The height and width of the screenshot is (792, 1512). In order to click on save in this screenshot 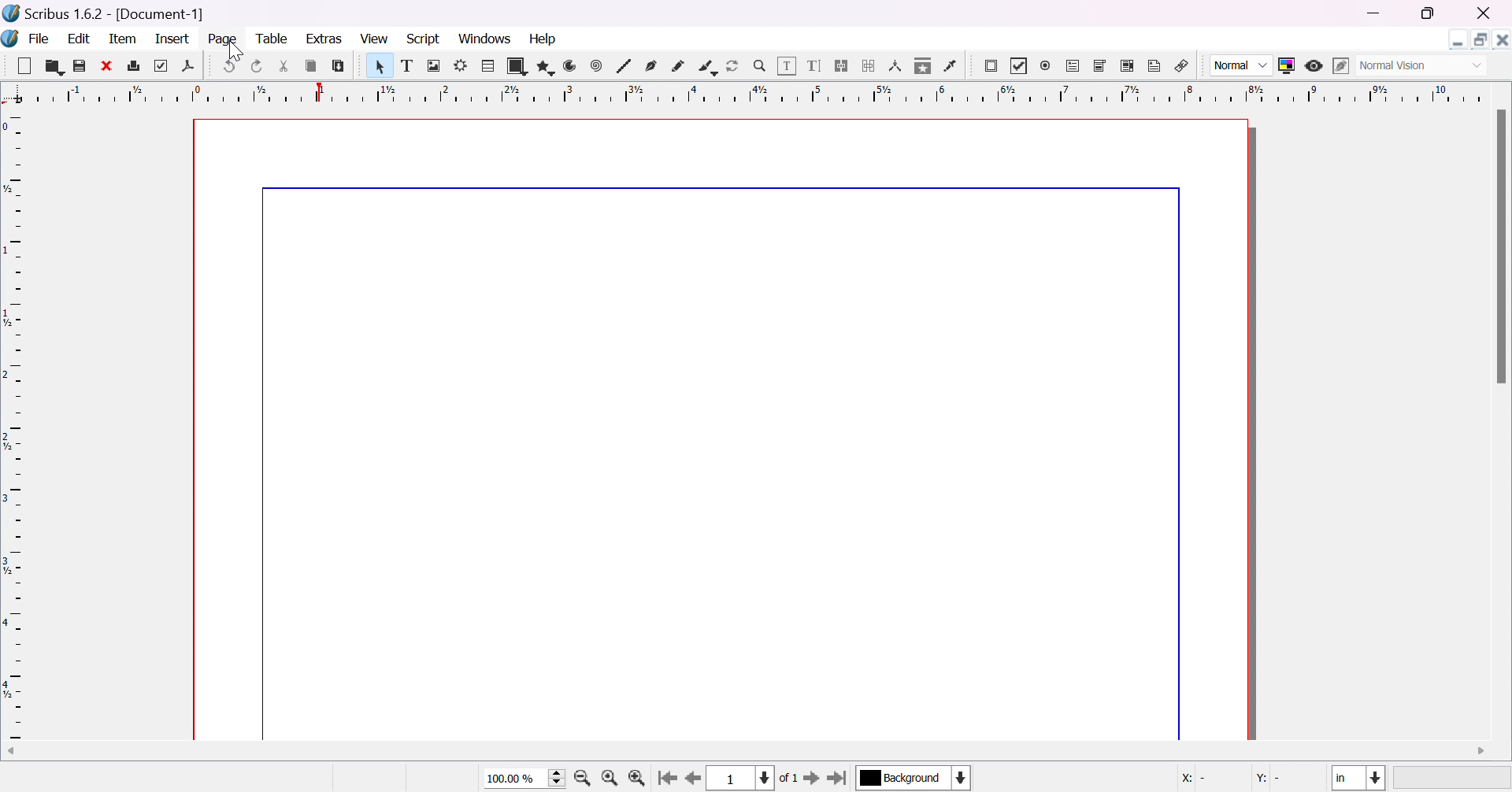, I will do `click(78, 67)`.